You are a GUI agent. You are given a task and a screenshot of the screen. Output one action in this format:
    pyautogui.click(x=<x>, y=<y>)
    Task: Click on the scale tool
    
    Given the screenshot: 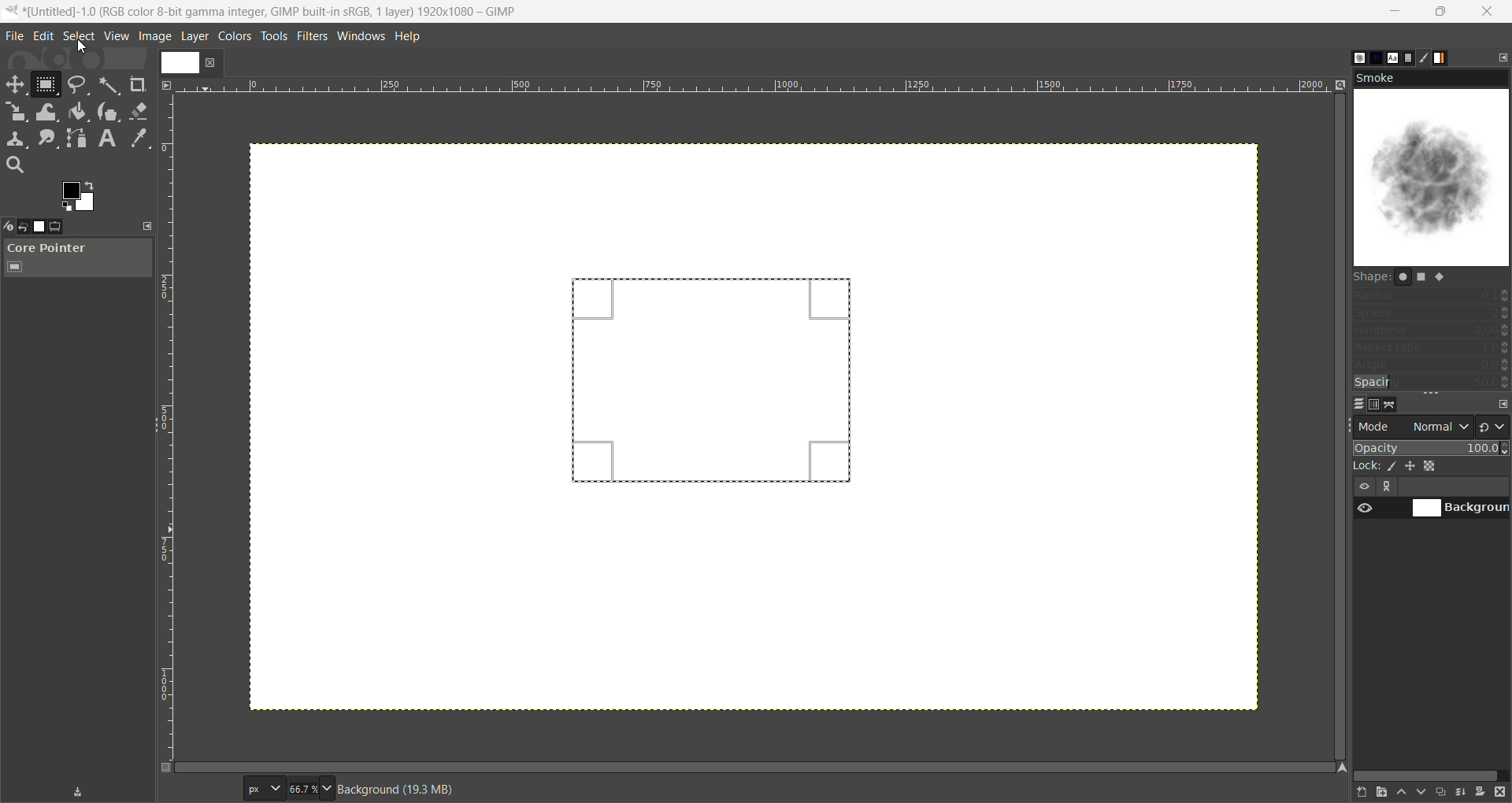 What is the action you would take?
    pyautogui.click(x=17, y=113)
    